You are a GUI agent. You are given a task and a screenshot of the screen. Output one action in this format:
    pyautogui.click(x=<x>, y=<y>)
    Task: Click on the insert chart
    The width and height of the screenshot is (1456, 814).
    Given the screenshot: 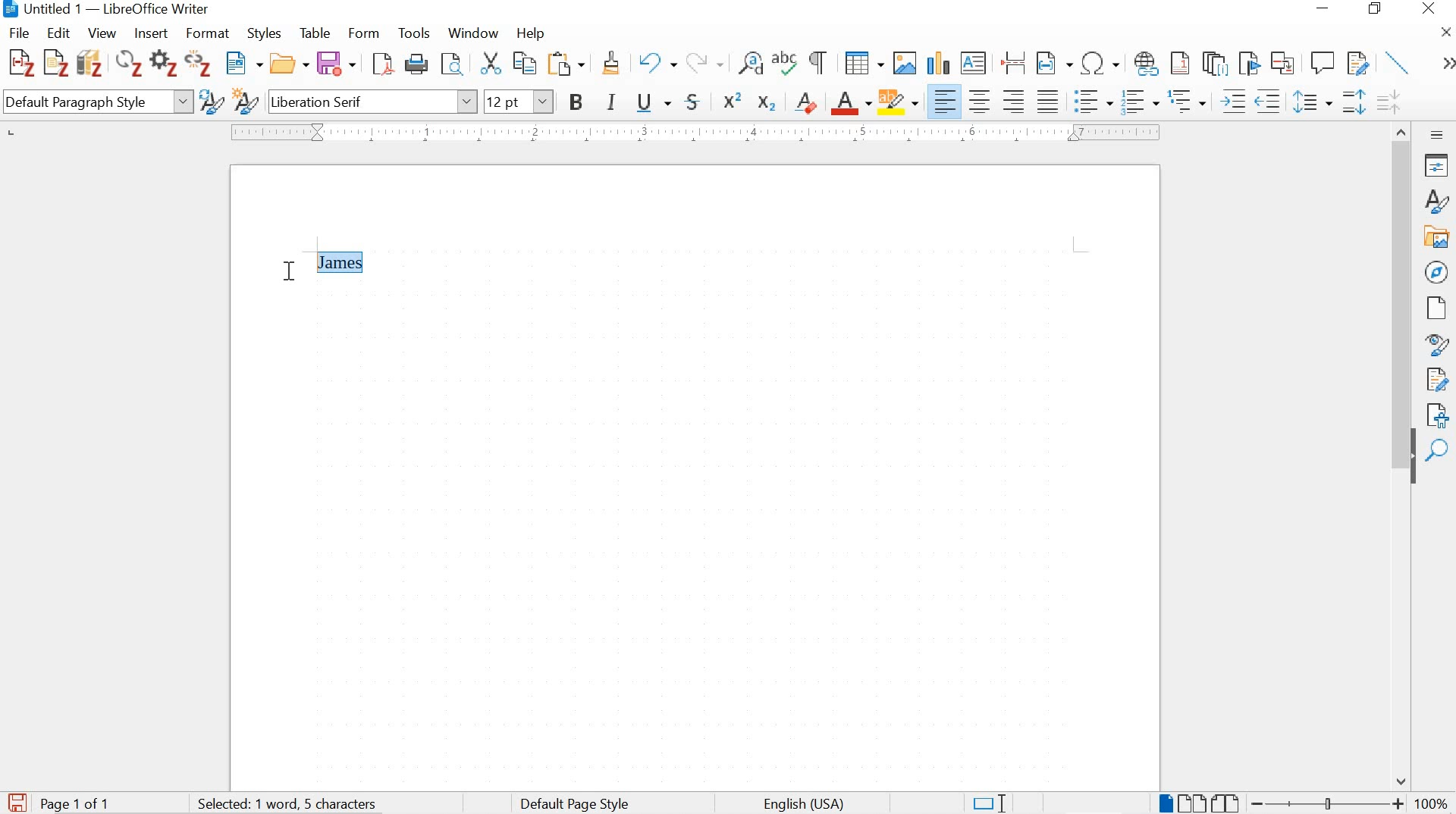 What is the action you would take?
    pyautogui.click(x=937, y=64)
    